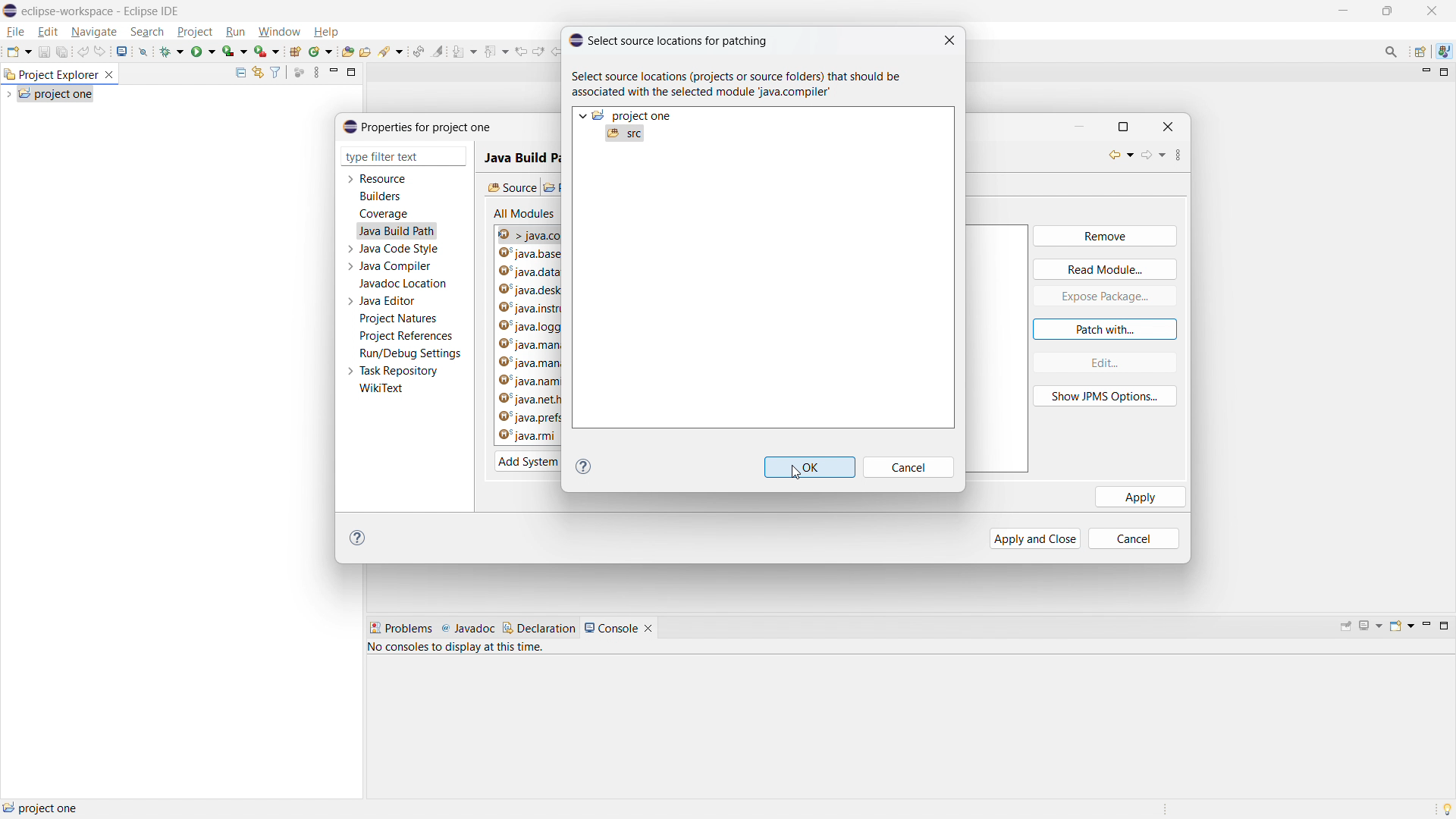 Image resolution: width=1456 pixels, height=819 pixels. I want to click on focus on active task , so click(300, 73).